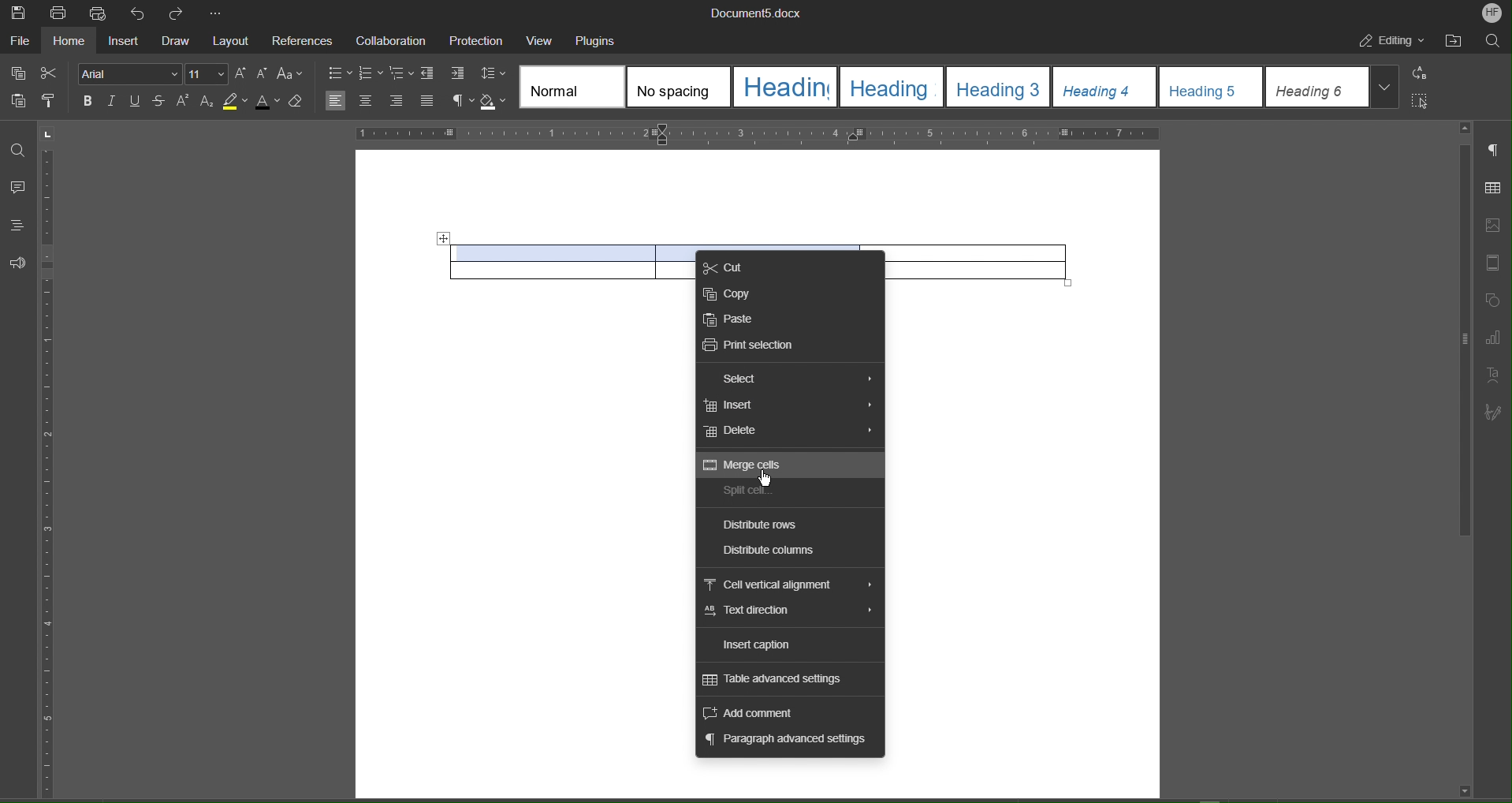 This screenshot has height=803, width=1512. What do you see at coordinates (894, 88) in the screenshot?
I see `heading 2` at bounding box center [894, 88].